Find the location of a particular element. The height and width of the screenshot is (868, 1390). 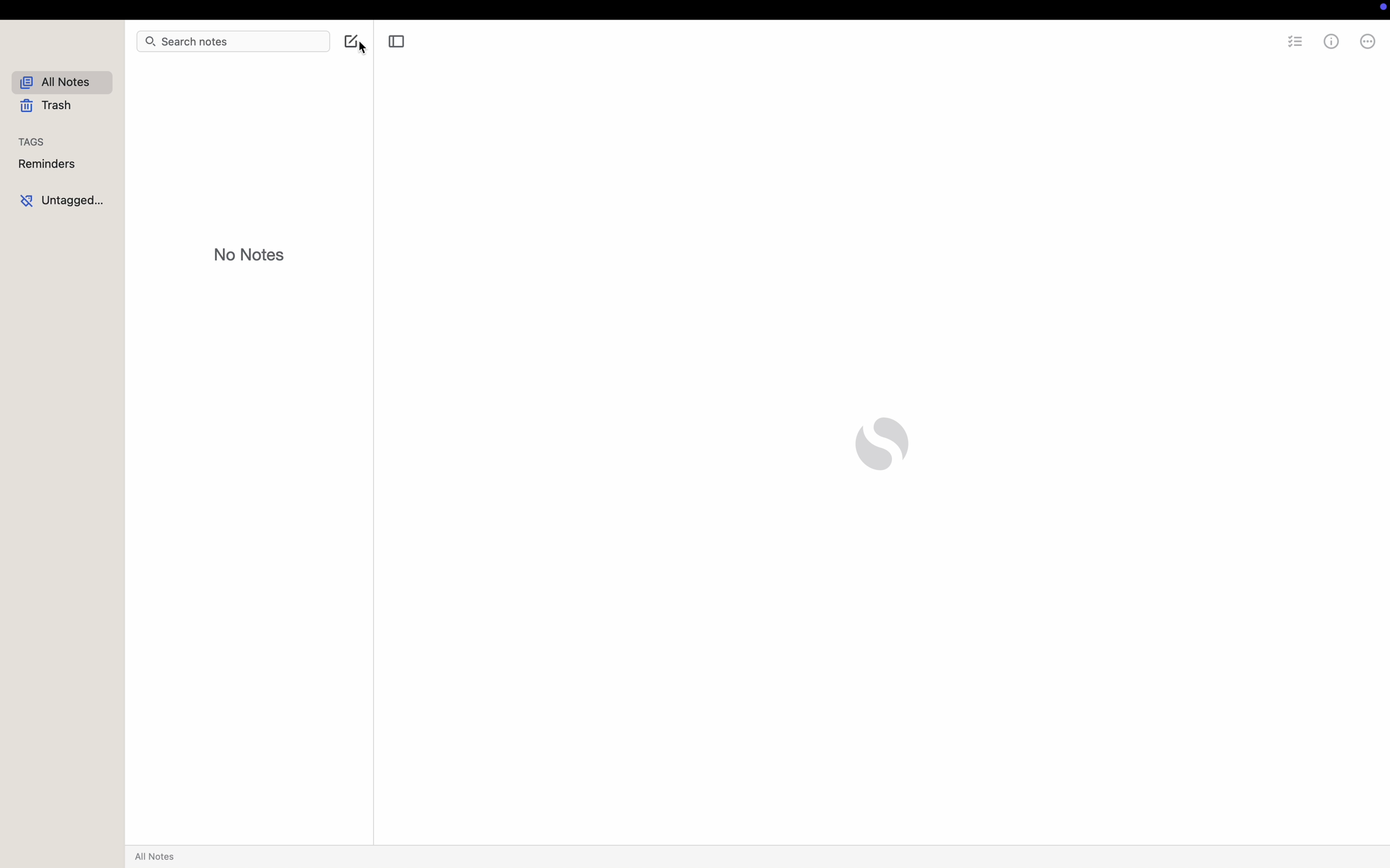

simplenote logo is located at coordinates (885, 440).